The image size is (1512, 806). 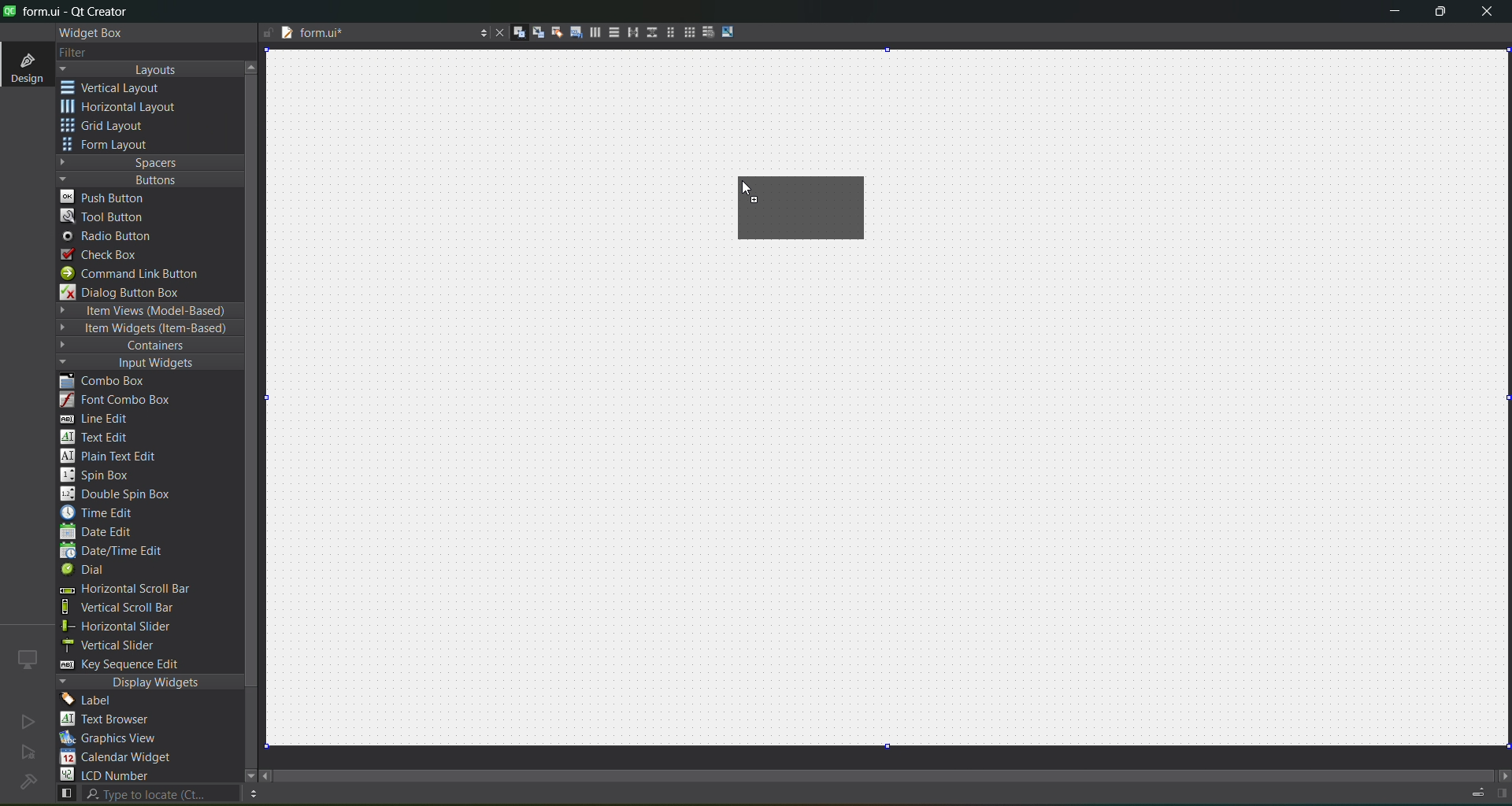 What do you see at coordinates (135, 608) in the screenshot?
I see `vertical scroll bar` at bounding box center [135, 608].